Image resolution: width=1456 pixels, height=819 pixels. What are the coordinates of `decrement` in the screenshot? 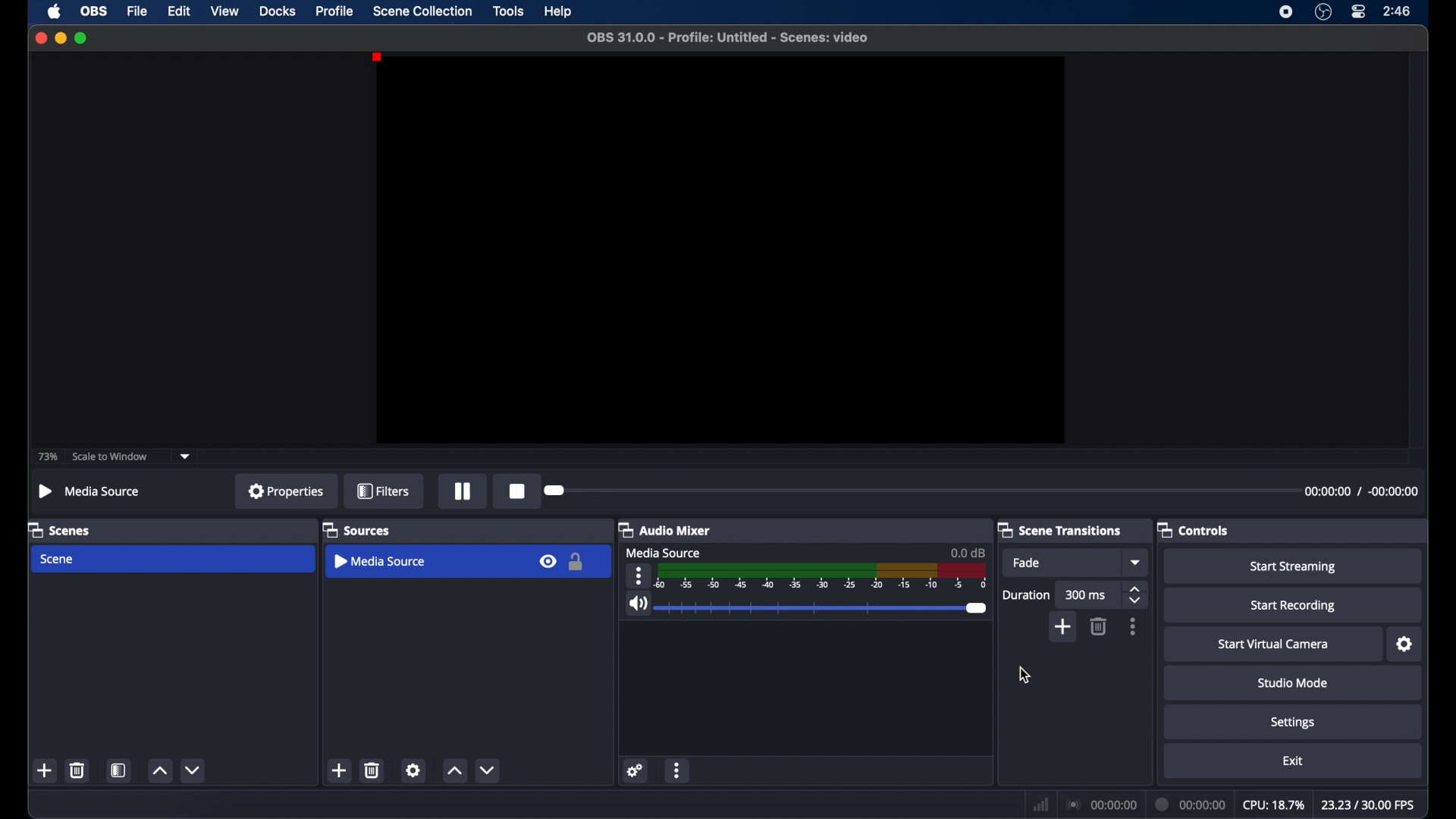 It's located at (491, 770).